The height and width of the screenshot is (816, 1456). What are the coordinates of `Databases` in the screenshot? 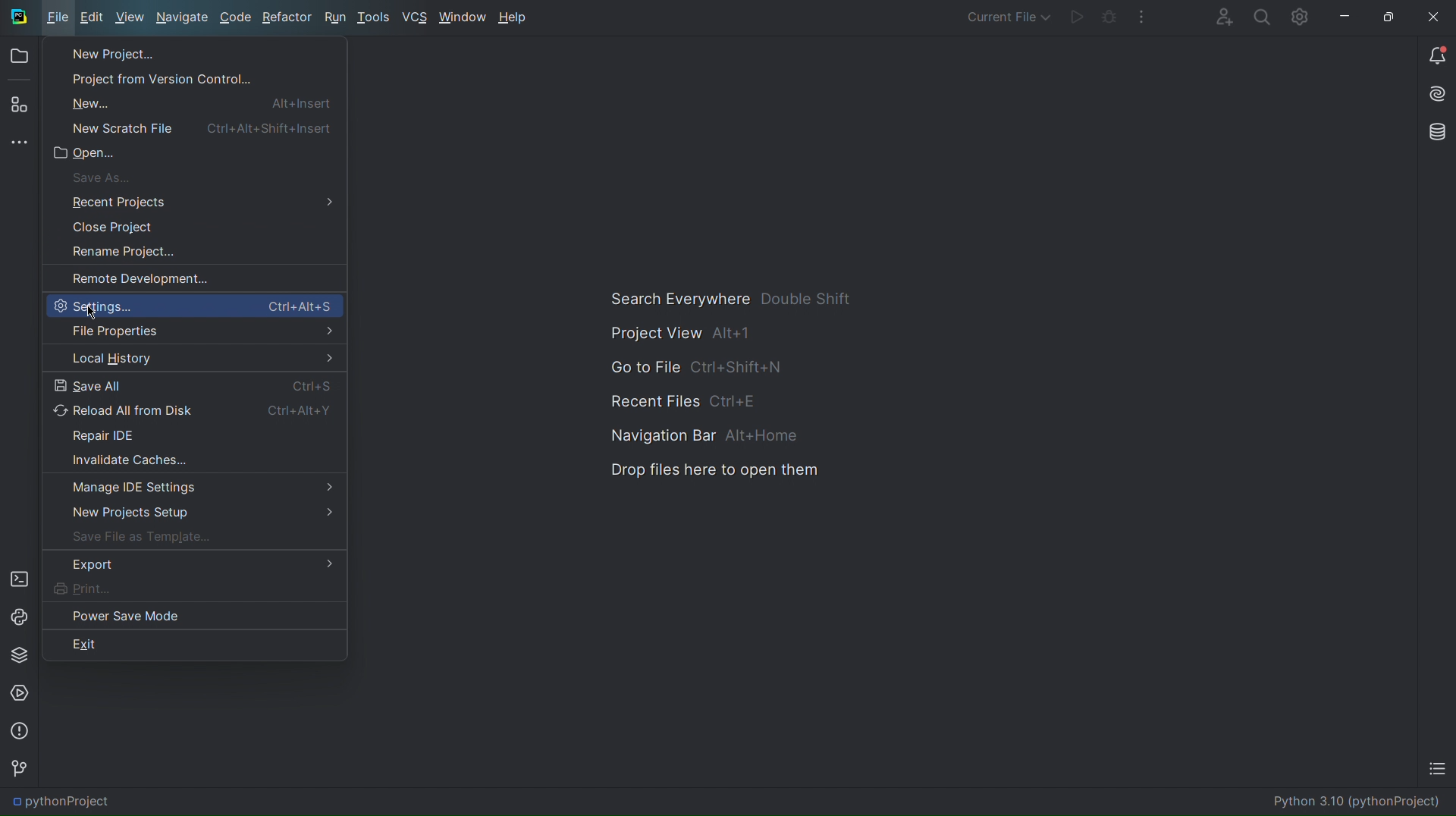 It's located at (1434, 132).